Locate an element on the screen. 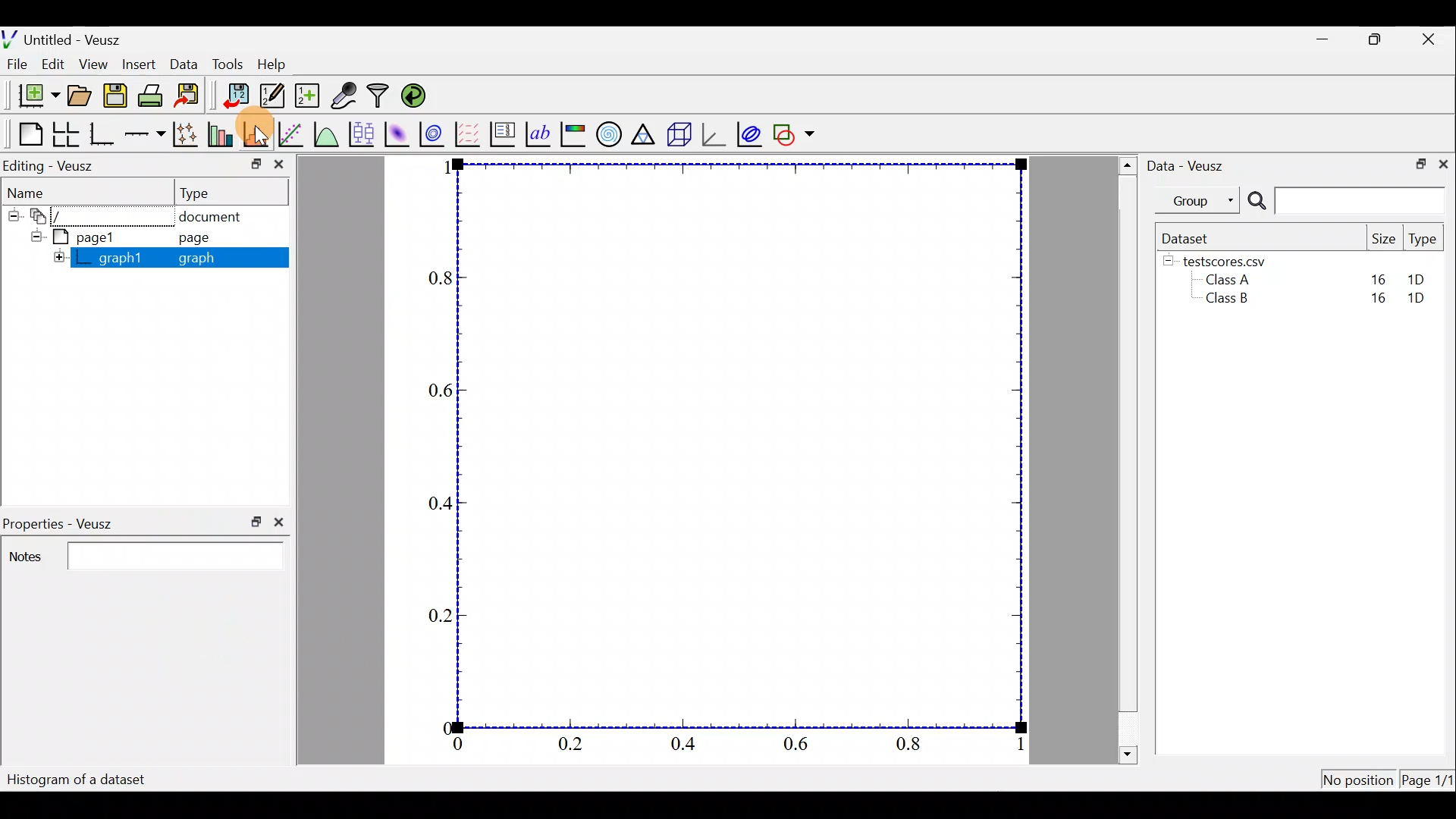 This screenshot has height=819, width=1456. Tools is located at coordinates (226, 65).